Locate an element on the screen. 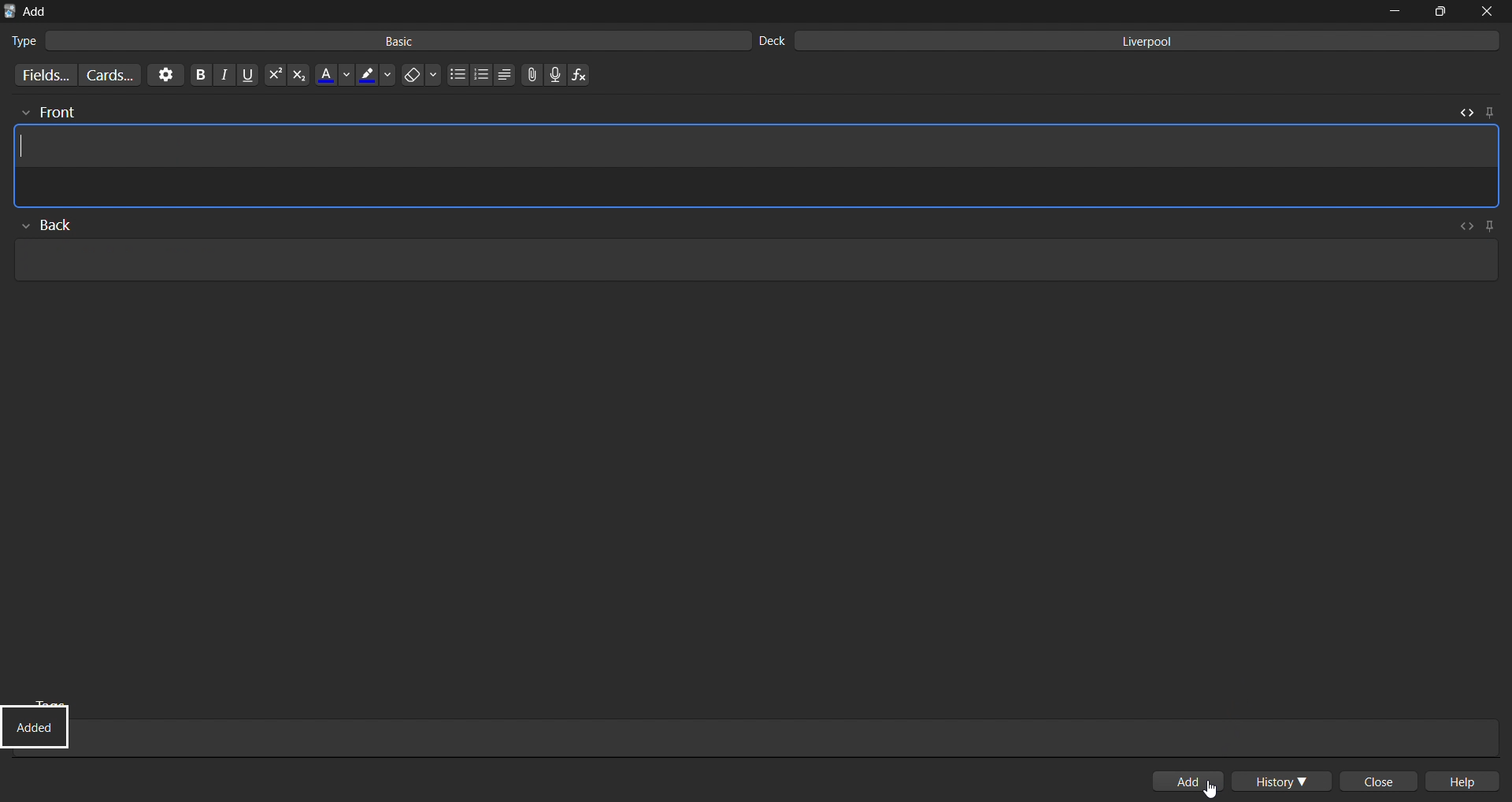  liverpool deck input field is located at coordinates (1132, 41).